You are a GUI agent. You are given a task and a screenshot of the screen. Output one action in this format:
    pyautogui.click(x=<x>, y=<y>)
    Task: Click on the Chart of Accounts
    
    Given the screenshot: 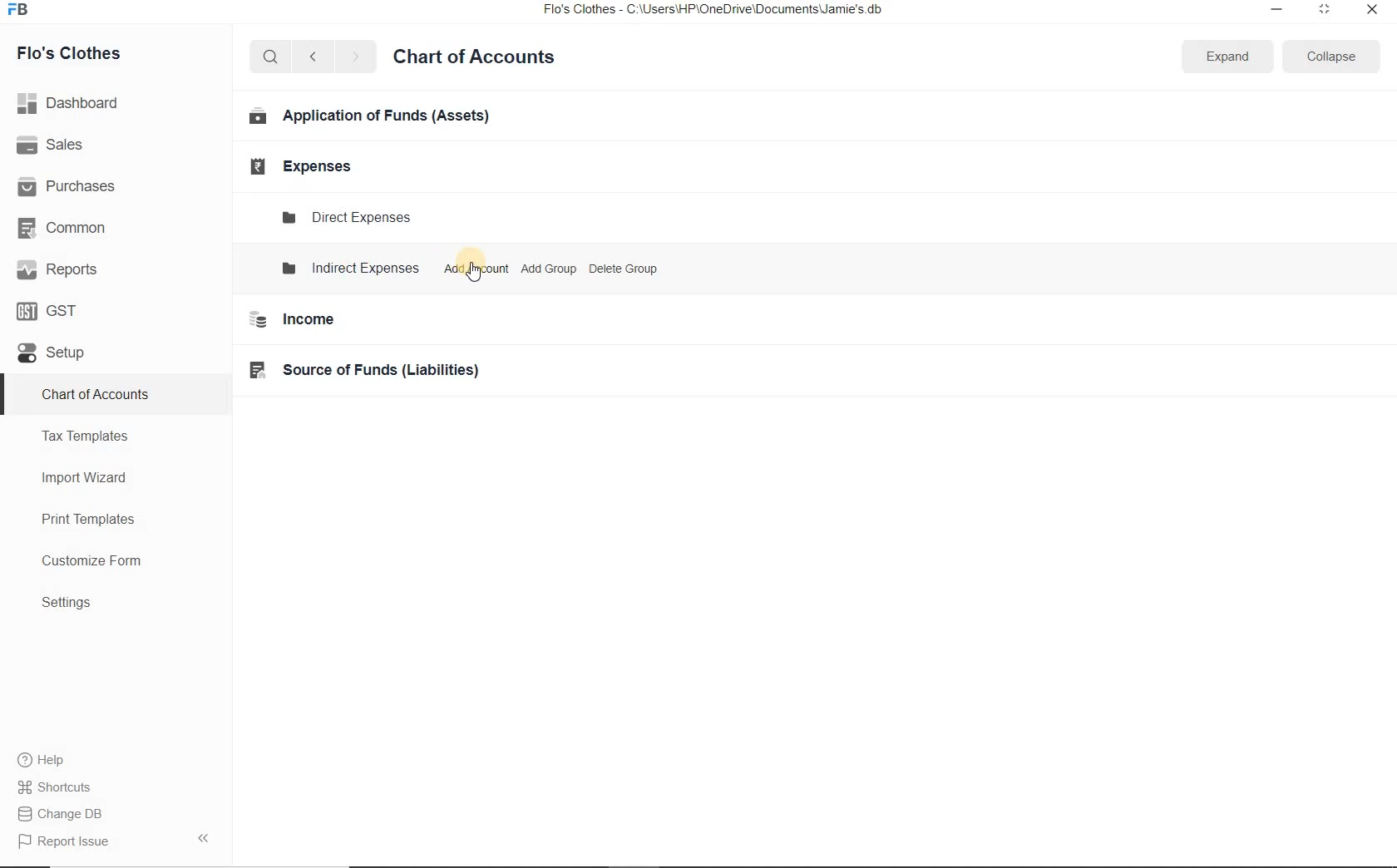 What is the action you would take?
    pyautogui.click(x=95, y=396)
    